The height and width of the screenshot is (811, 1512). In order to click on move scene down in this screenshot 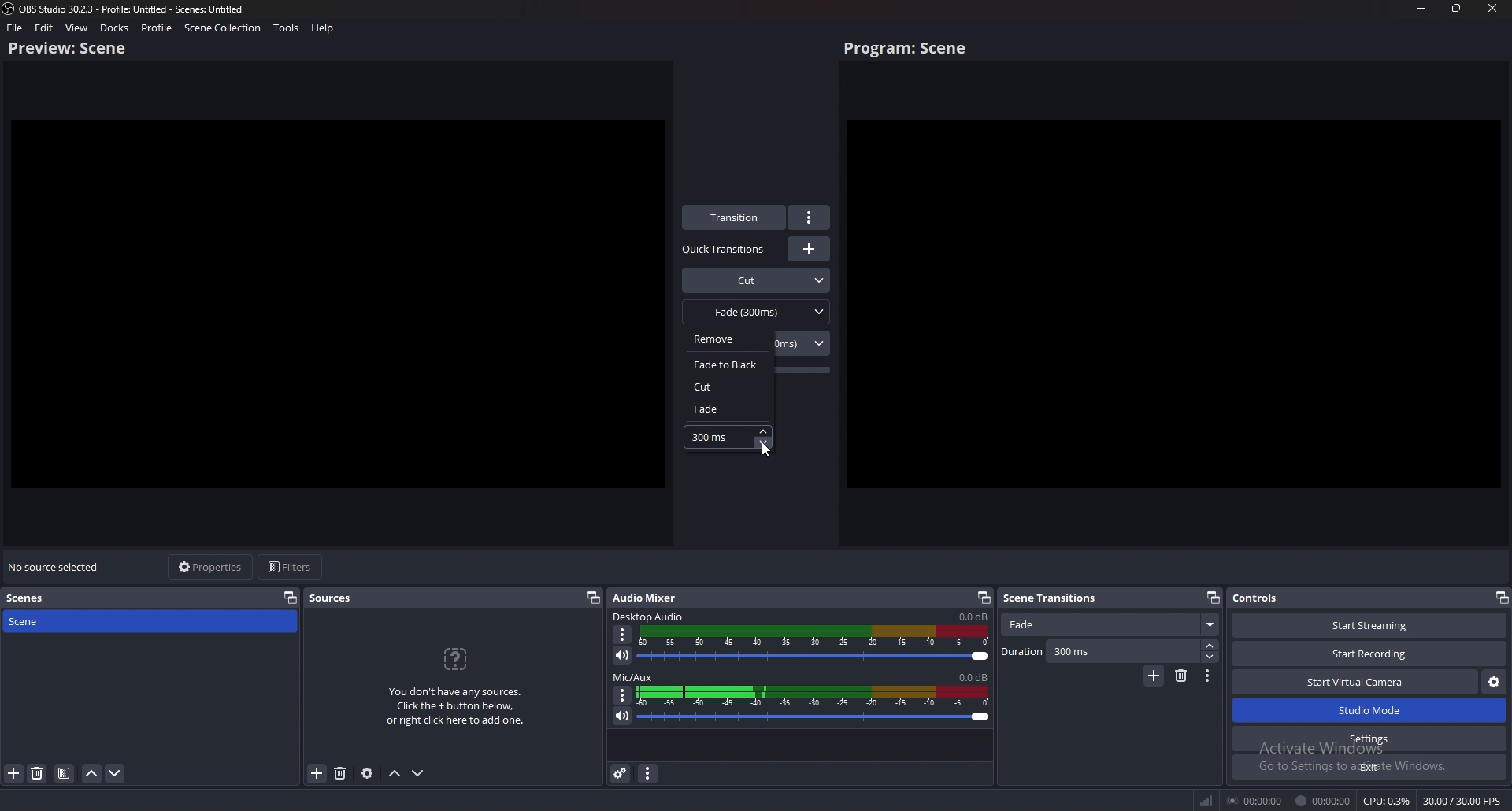, I will do `click(116, 776)`.